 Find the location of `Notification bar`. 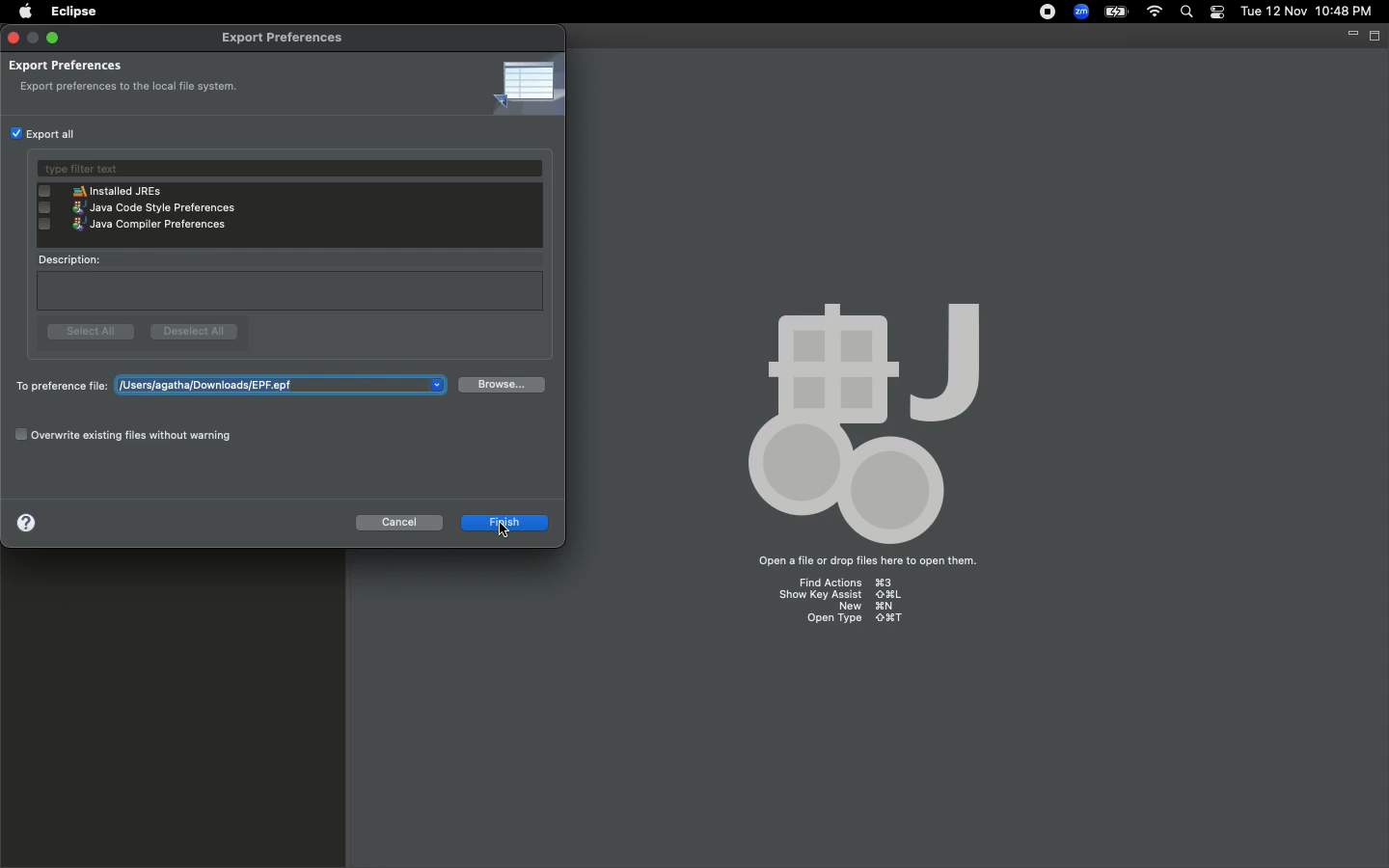

Notification bar is located at coordinates (1216, 14).